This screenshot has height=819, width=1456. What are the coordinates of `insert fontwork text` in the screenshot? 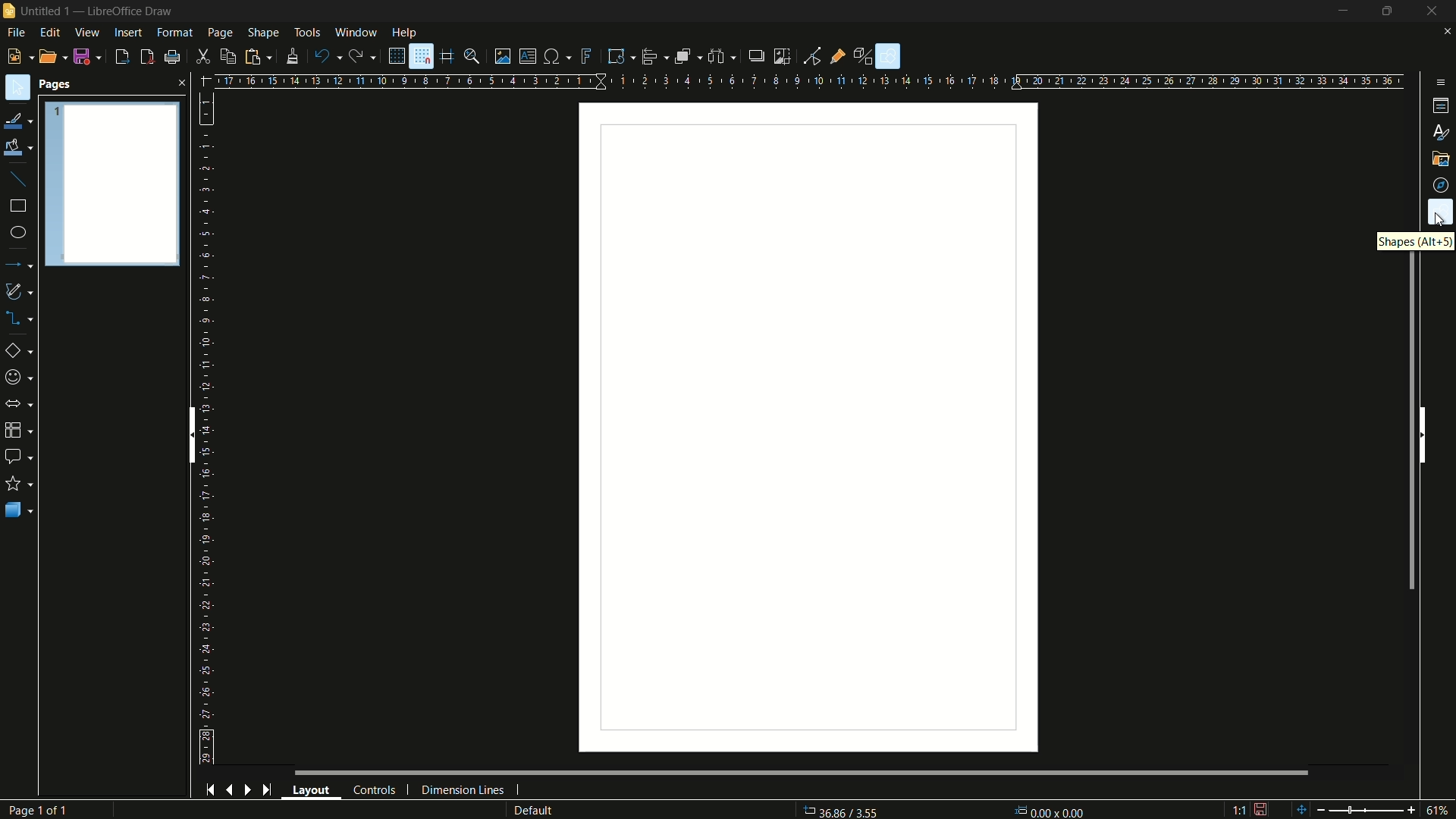 It's located at (588, 56).